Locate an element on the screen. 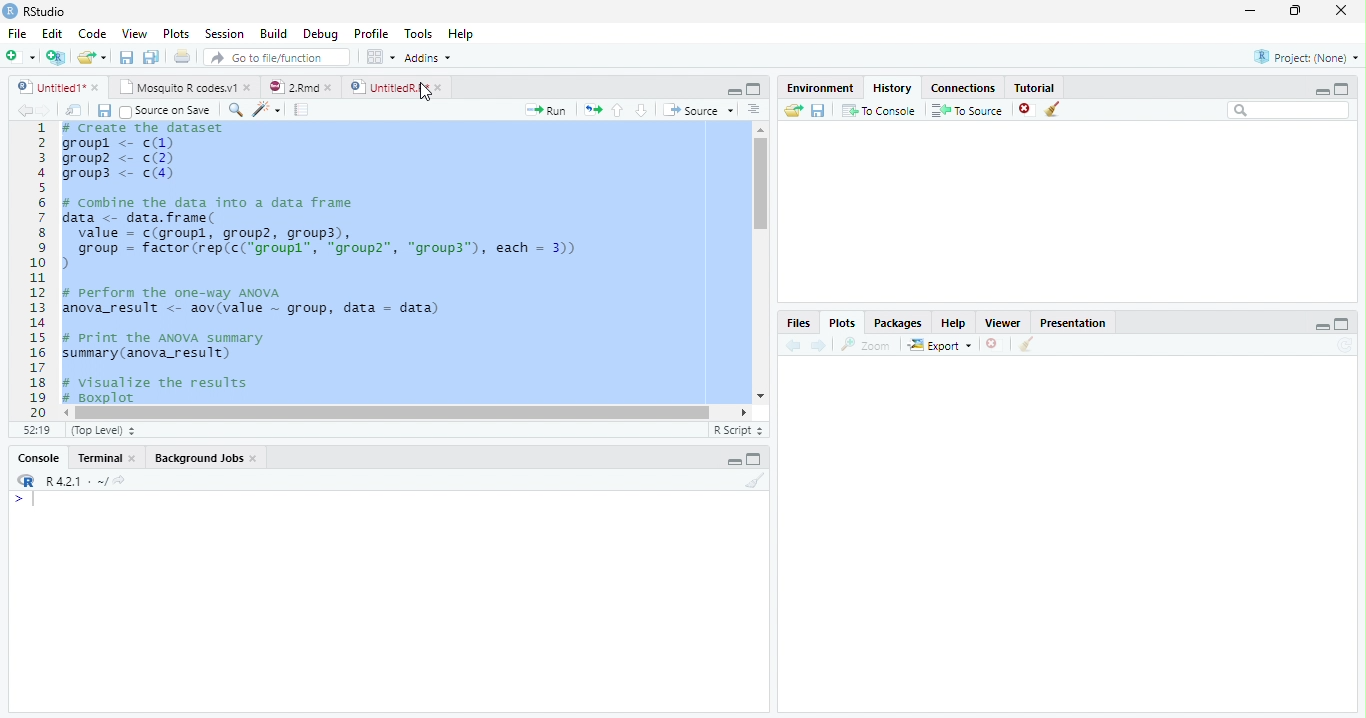 The image size is (1366, 718). Save workspace as  is located at coordinates (821, 111).